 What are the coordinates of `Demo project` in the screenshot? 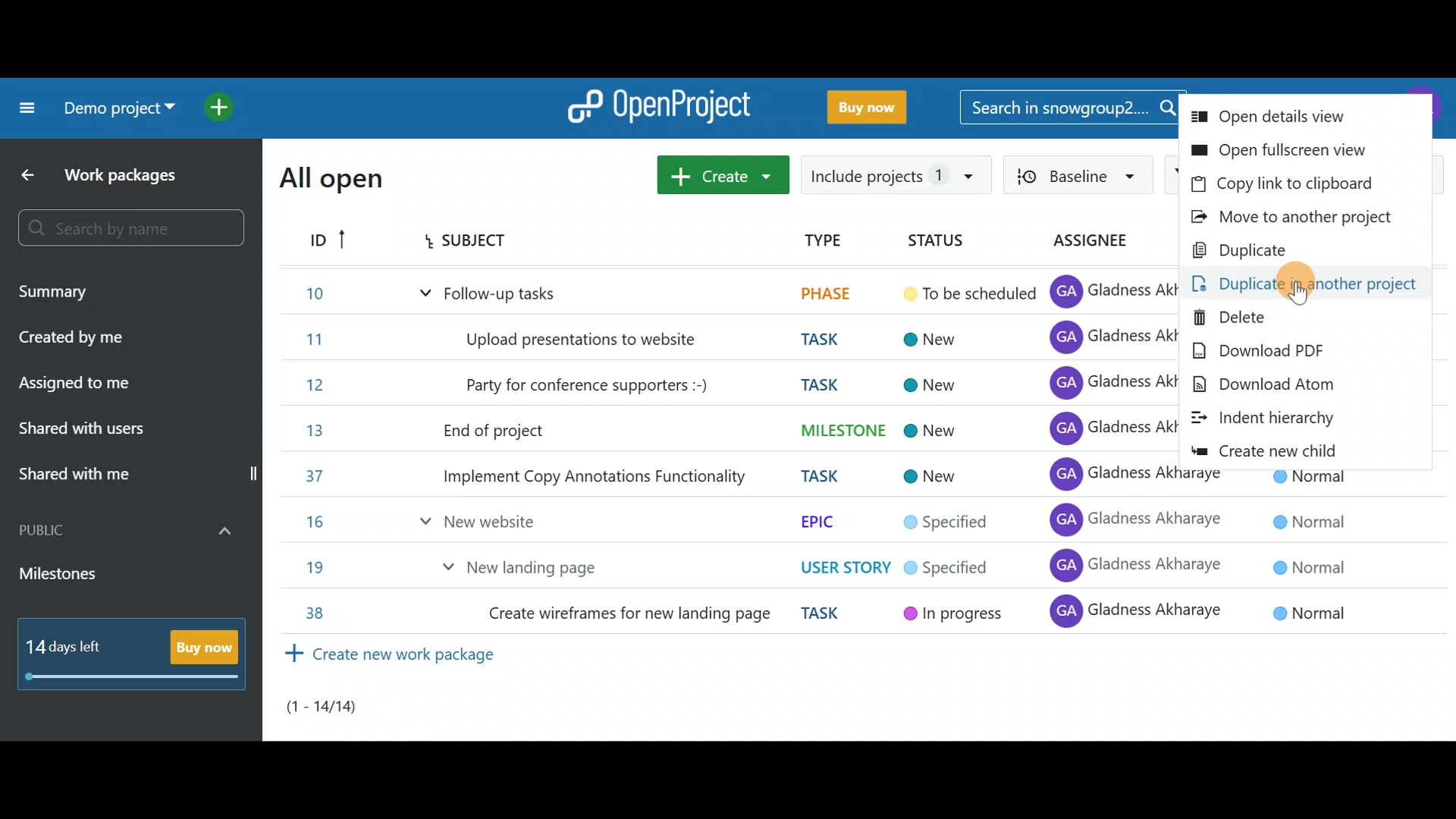 It's located at (114, 111).